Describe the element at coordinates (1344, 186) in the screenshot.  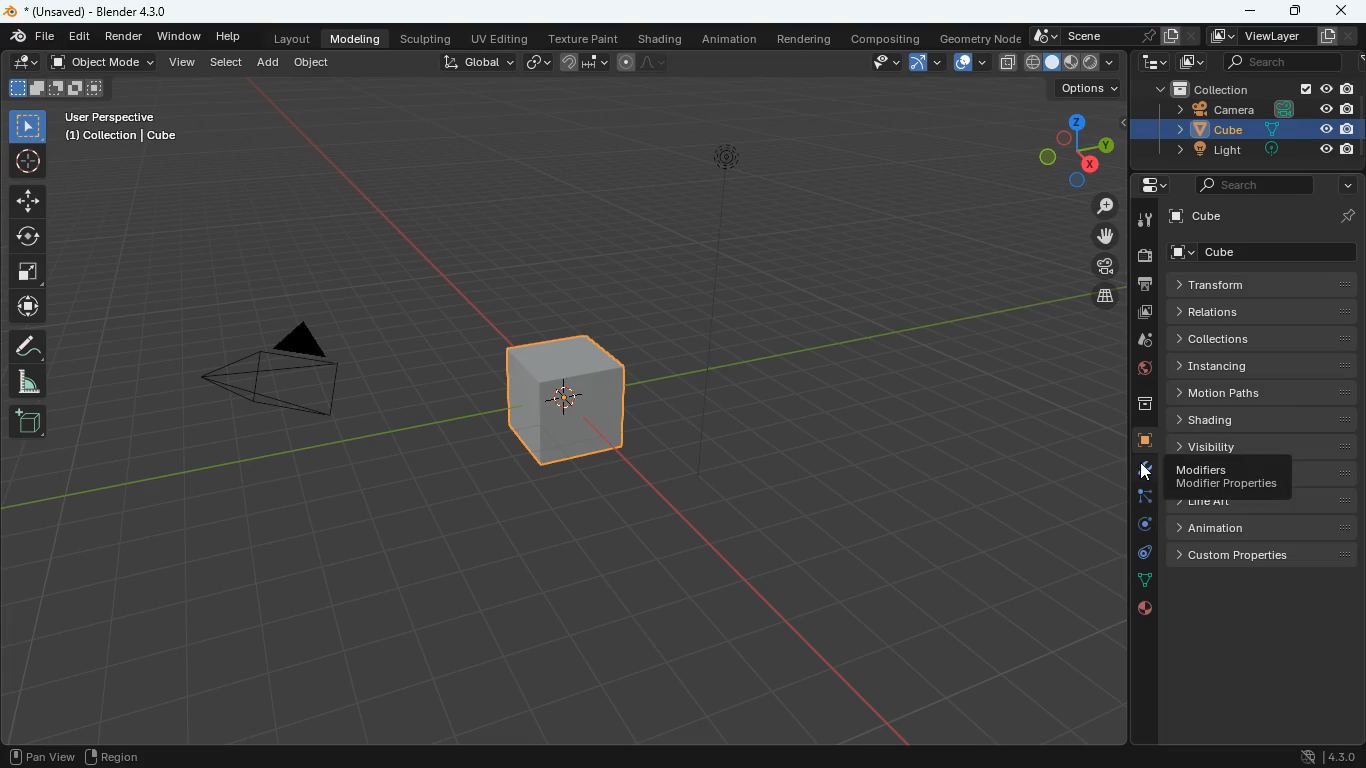
I see `more` at that location.